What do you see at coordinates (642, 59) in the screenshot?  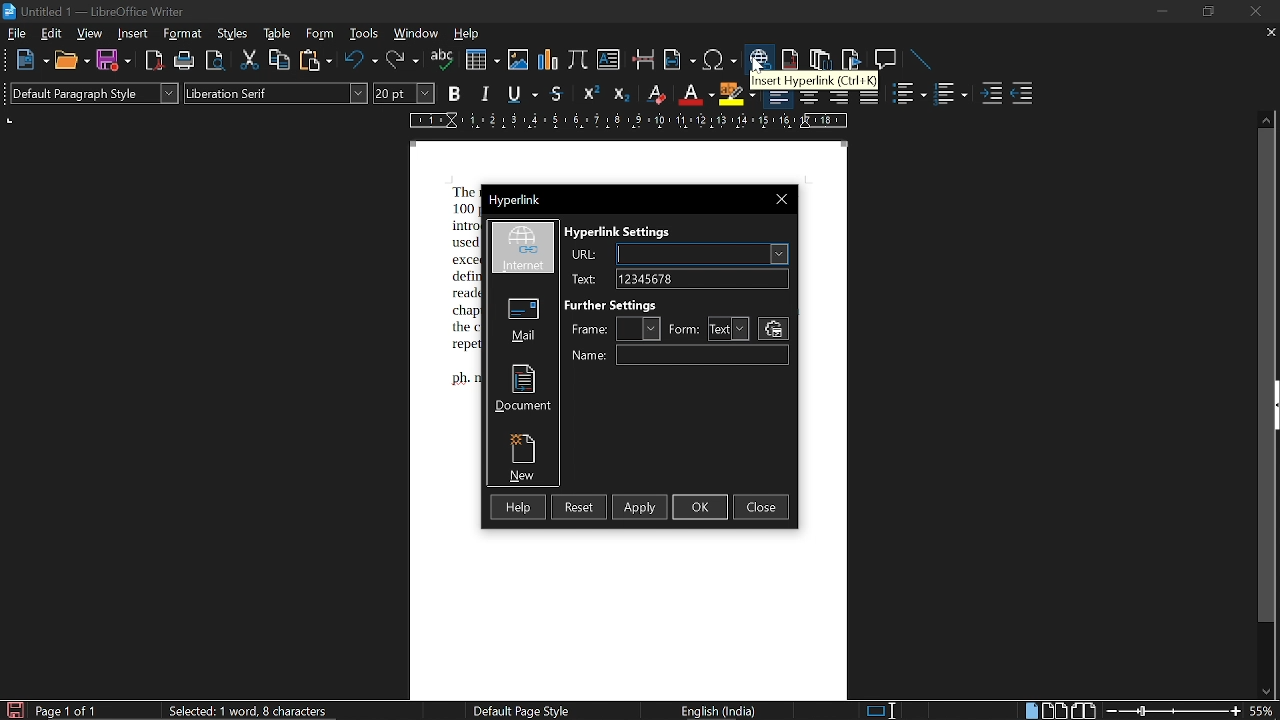 I see `insert pagebreak` at bounding box center [642, 59].